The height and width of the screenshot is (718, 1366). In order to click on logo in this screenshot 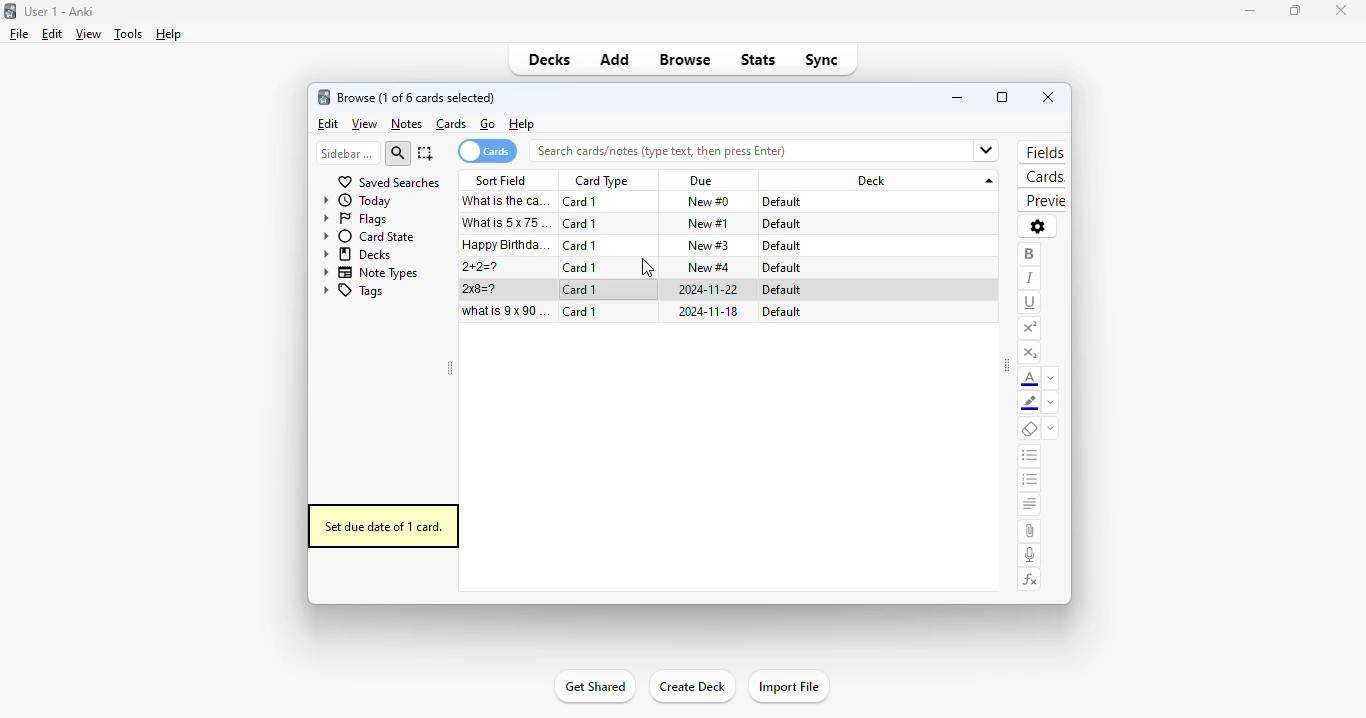, I will do `click(324, 97)`.